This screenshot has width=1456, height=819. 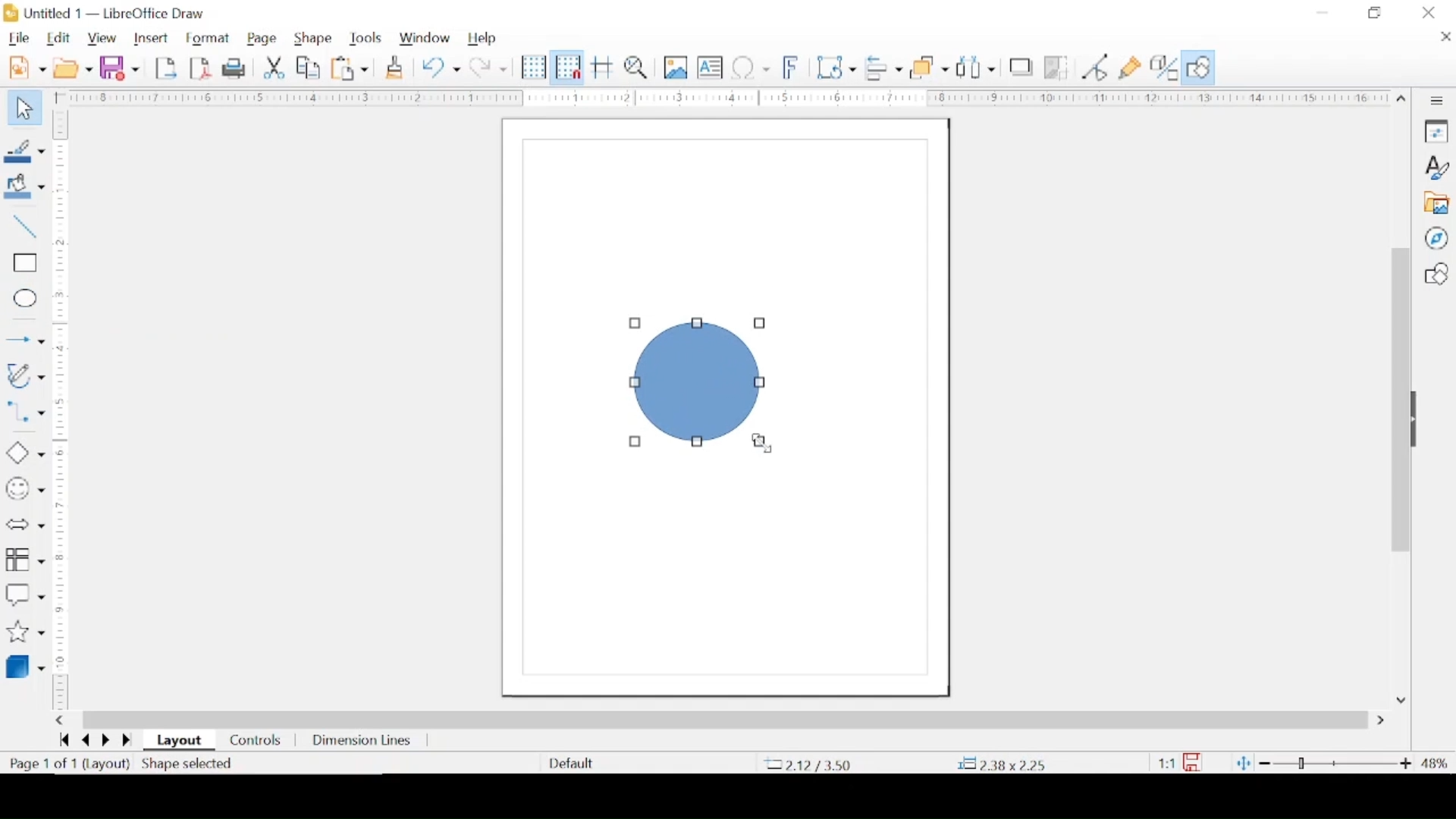 What do you see at coordinates (102, 39) in the screenshot?
I see `view` at bounding box center [102, 39].